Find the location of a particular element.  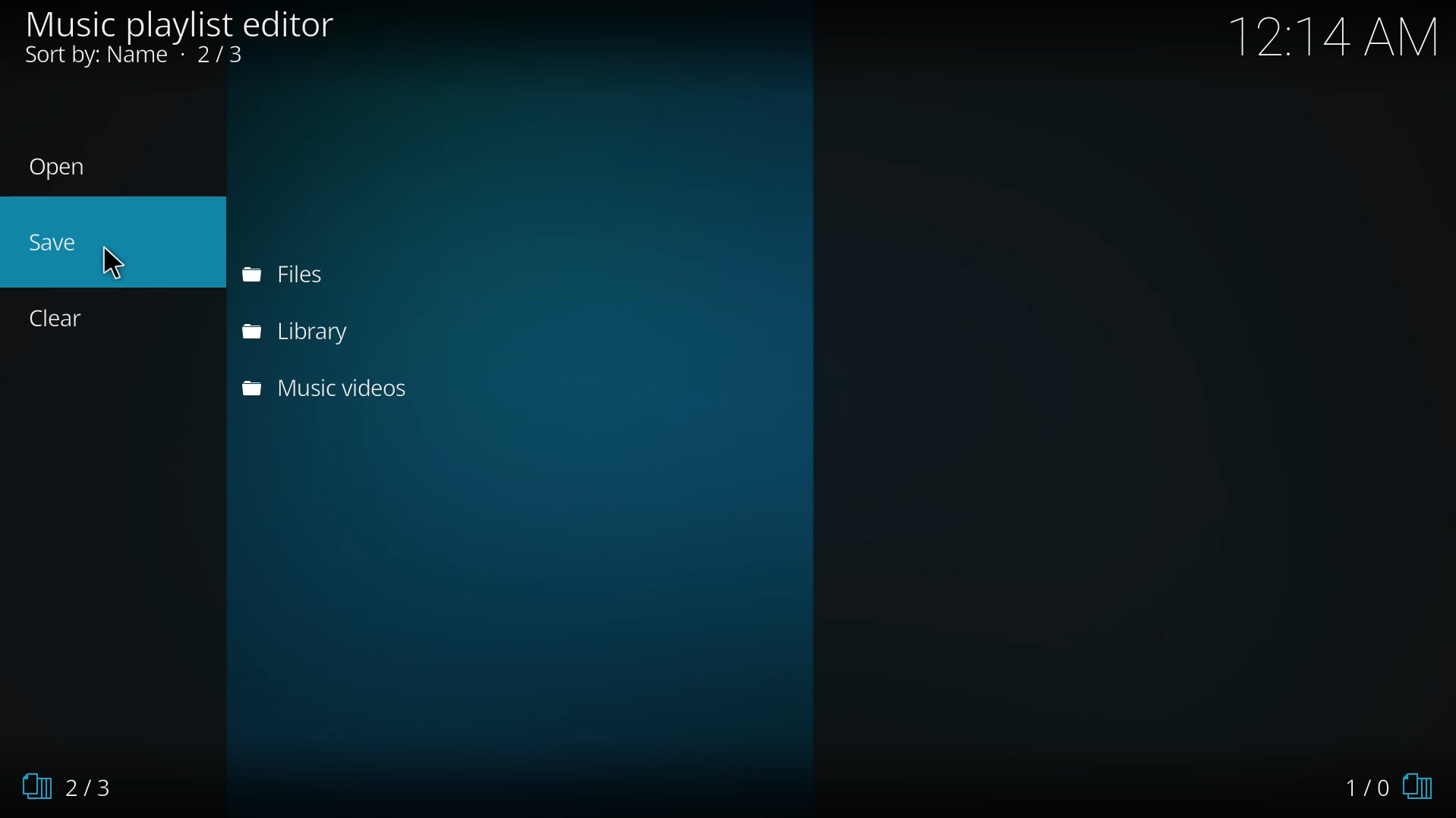

2/3 is located at coordinates (66, 785).